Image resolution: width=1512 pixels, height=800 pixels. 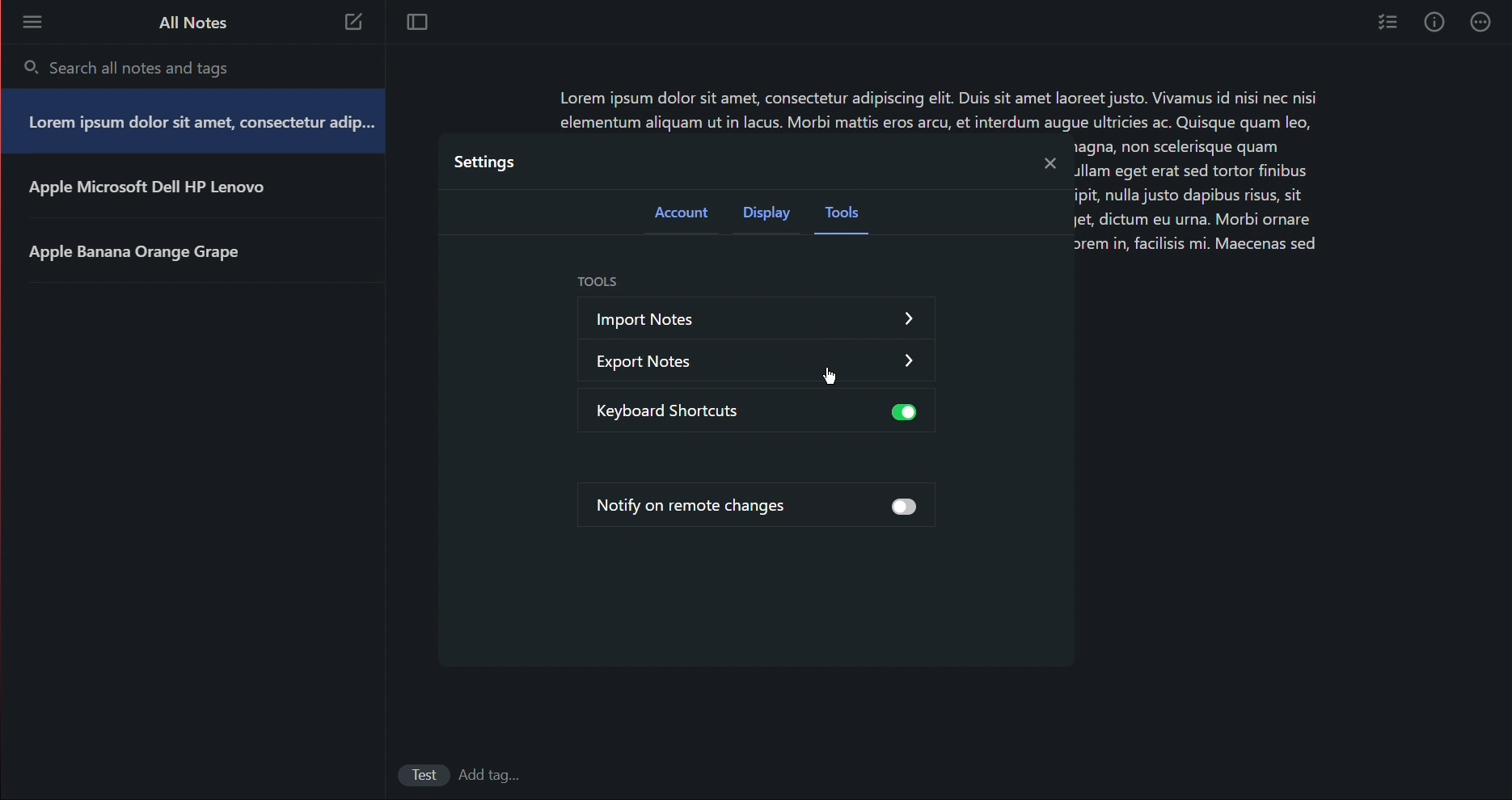 What do you see at coordinates (899, 414) in the screenshot?
I see `button` at bounding box center [899, 414].